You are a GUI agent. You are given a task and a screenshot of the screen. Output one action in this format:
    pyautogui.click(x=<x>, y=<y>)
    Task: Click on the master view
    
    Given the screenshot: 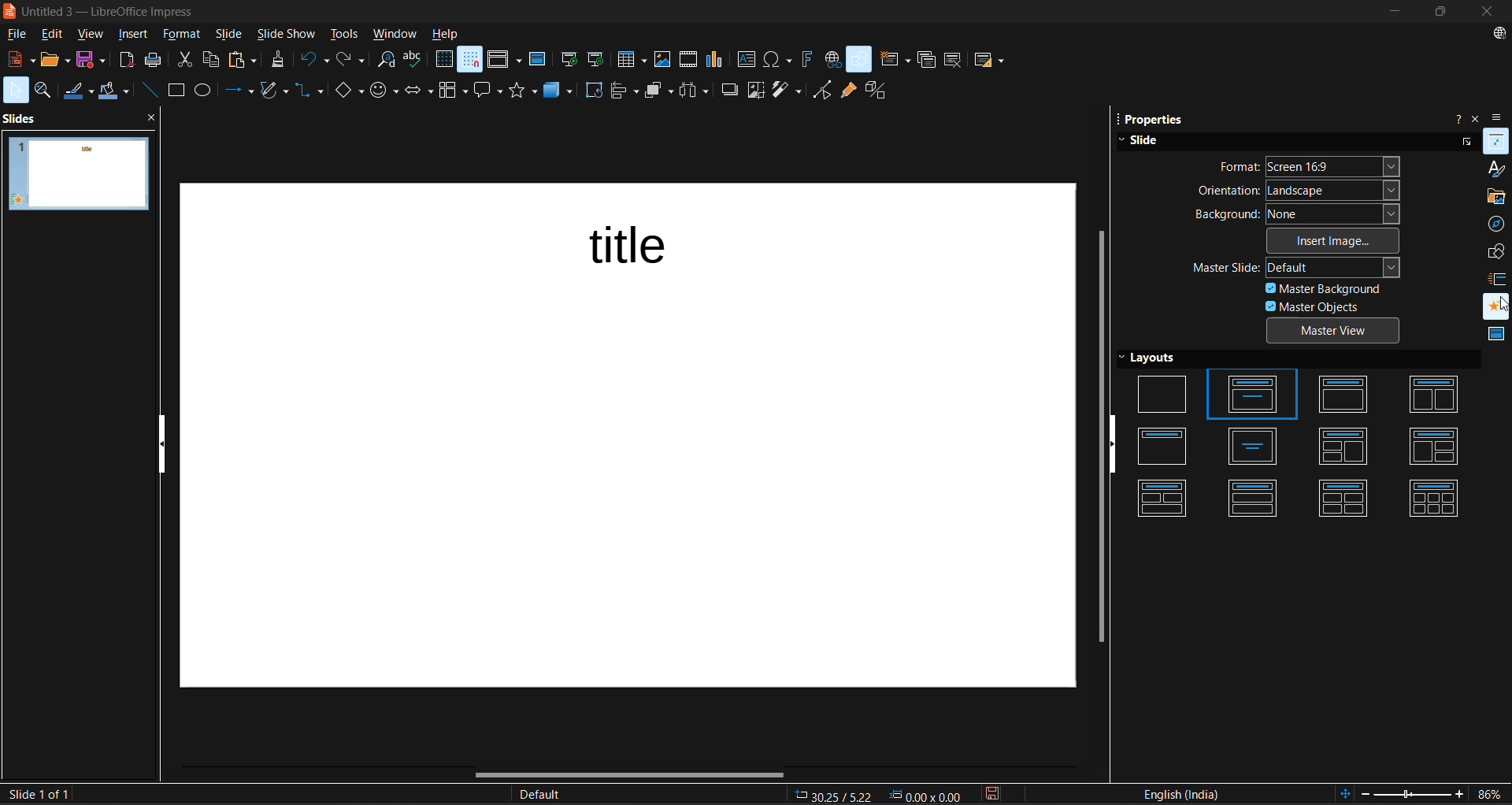 What is the action you would take?
    pyautogui.click(x=1337, y=333)
    